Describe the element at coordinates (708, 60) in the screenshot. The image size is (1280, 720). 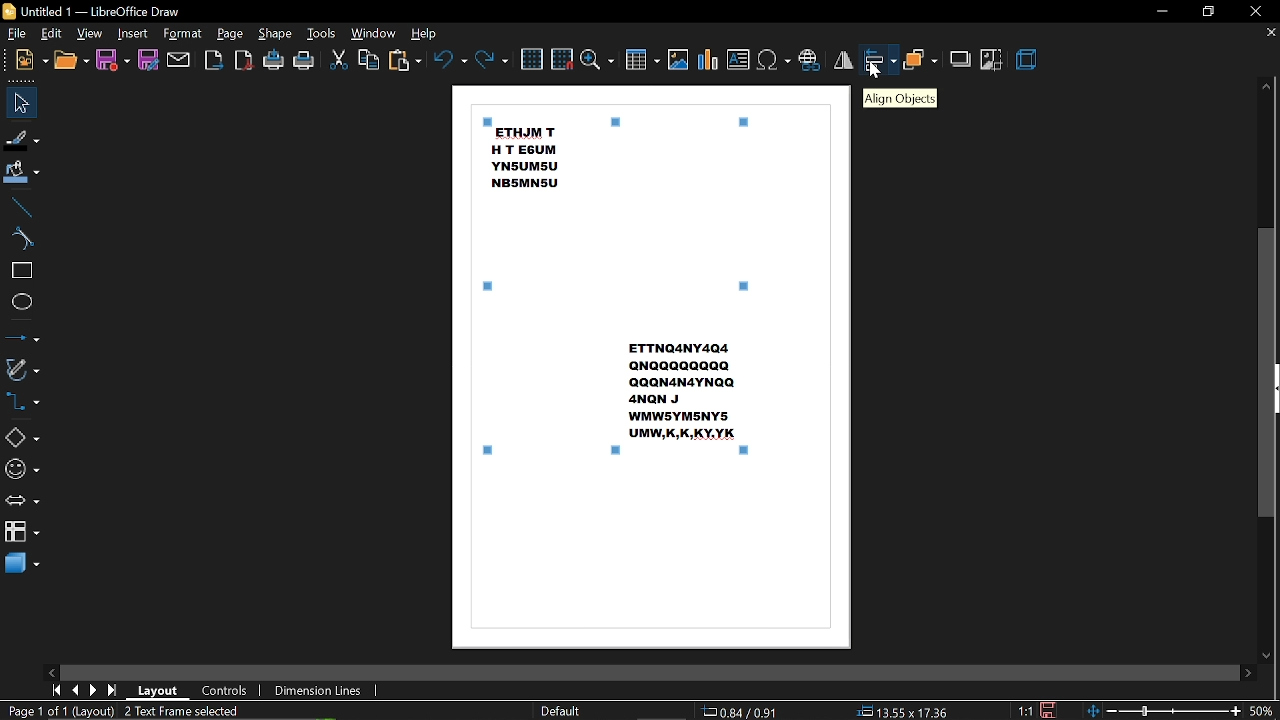
I see `insert chart` at that location.